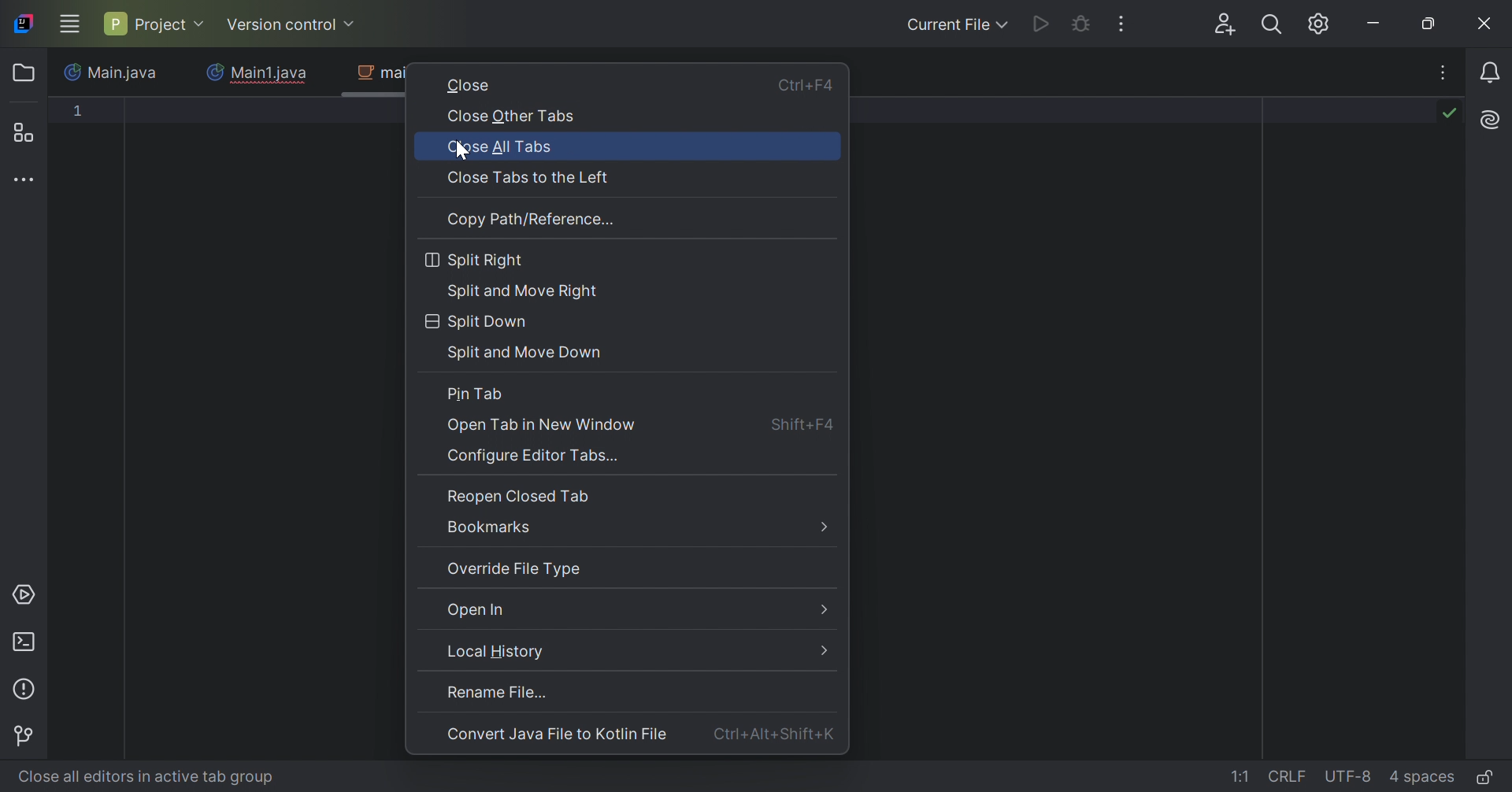 The width and height of the screenshot is (1512, 792). Describe the element at coordinates (467, 152) in the screenshot. I see `cursor` at that location.